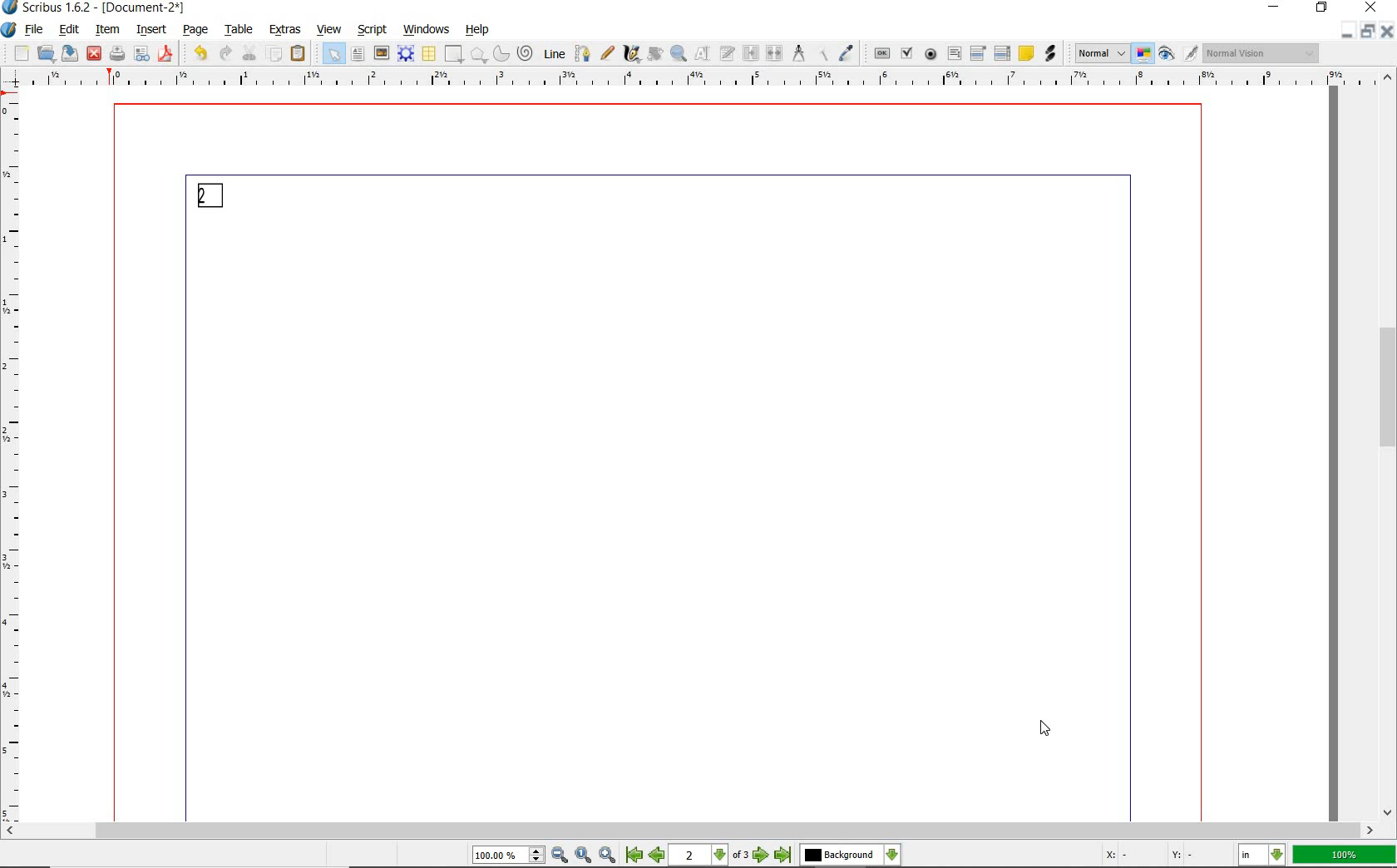  What do you see at coordinates (116, 53) in the screenshot?
I see `print` at bounding box center [116, 53].